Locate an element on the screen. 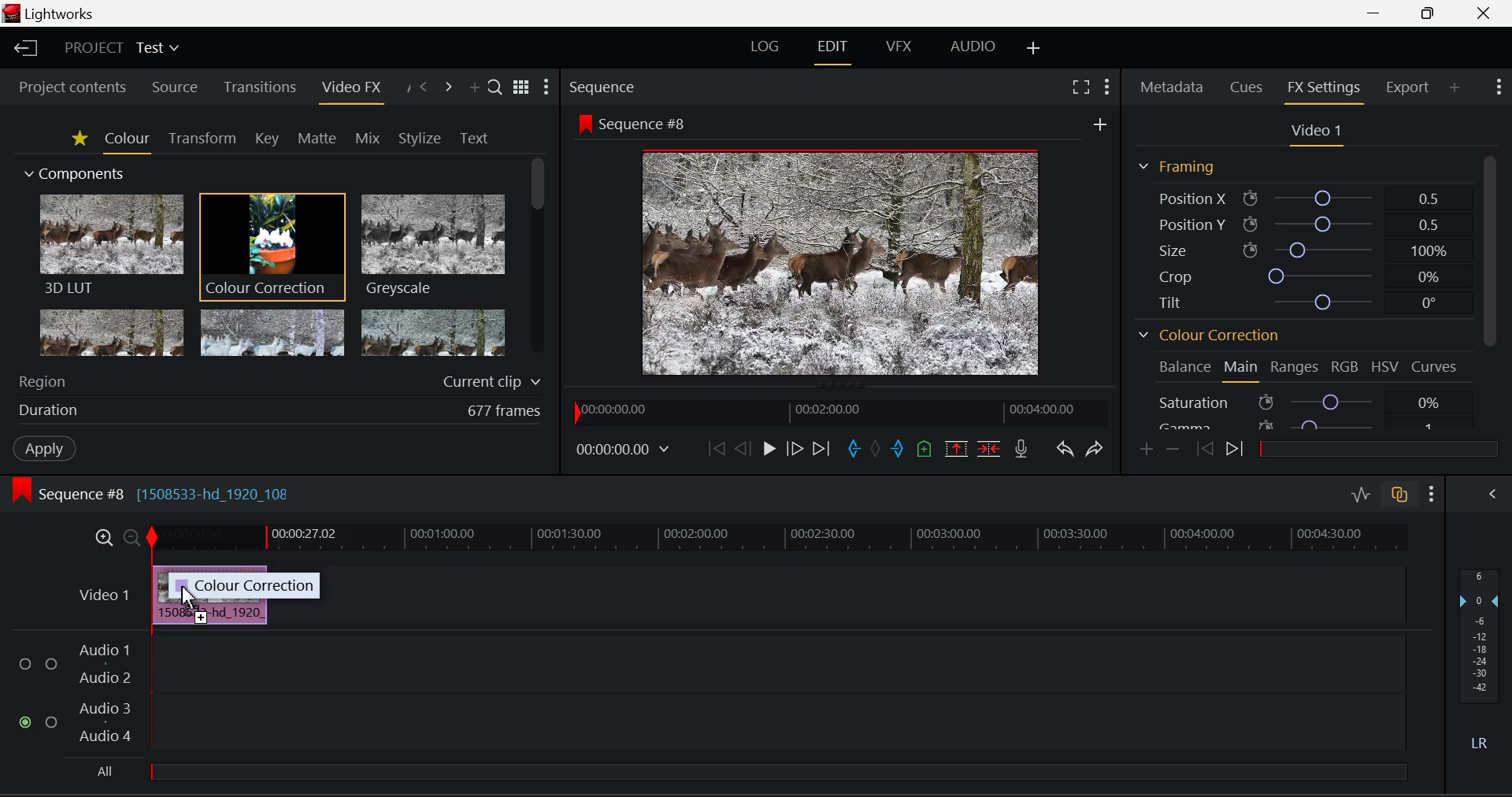 The image size is (1512, 797). Tilt is located at coordinates (1299, 301).